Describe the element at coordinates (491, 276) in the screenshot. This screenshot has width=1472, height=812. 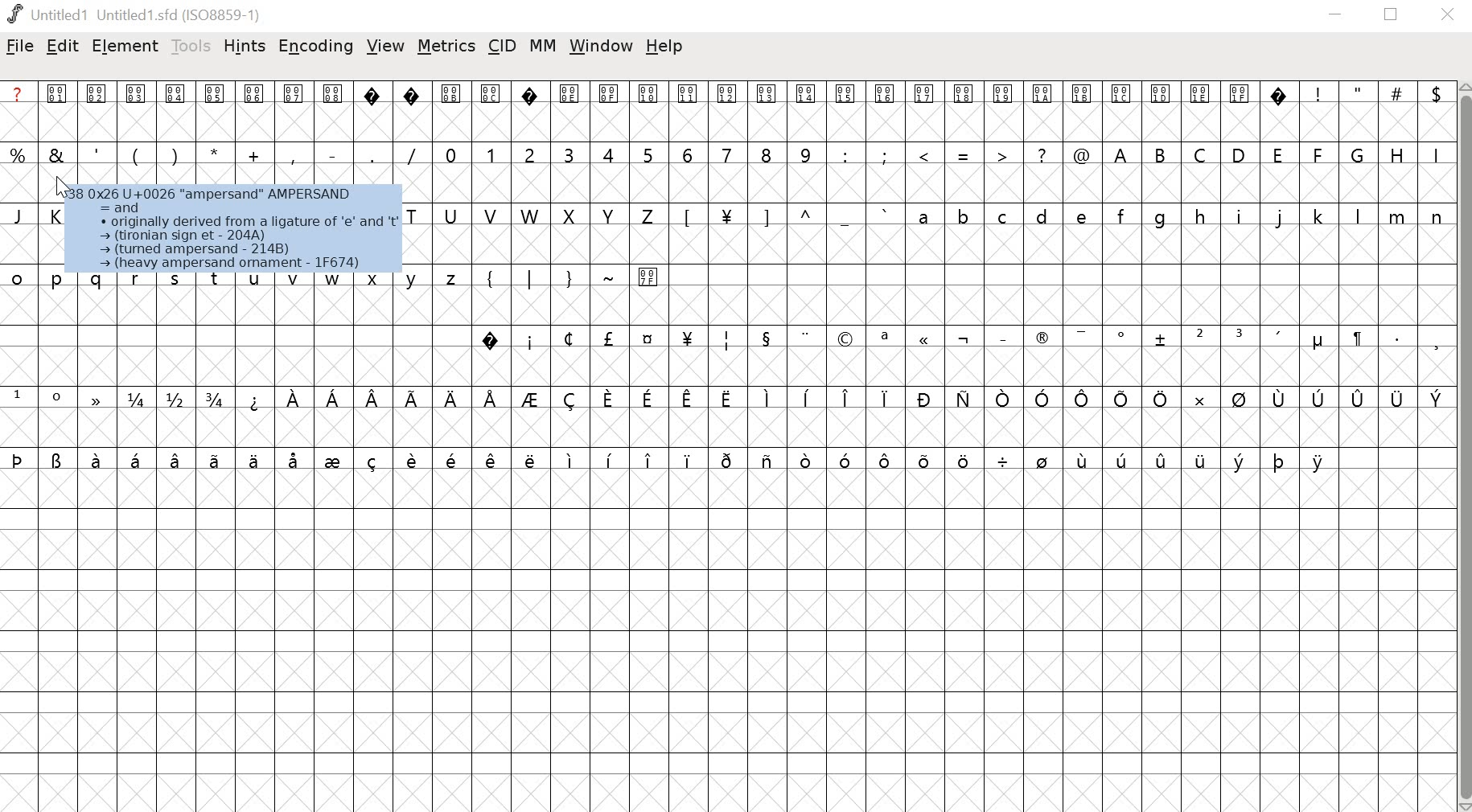
I see `{` at that location.